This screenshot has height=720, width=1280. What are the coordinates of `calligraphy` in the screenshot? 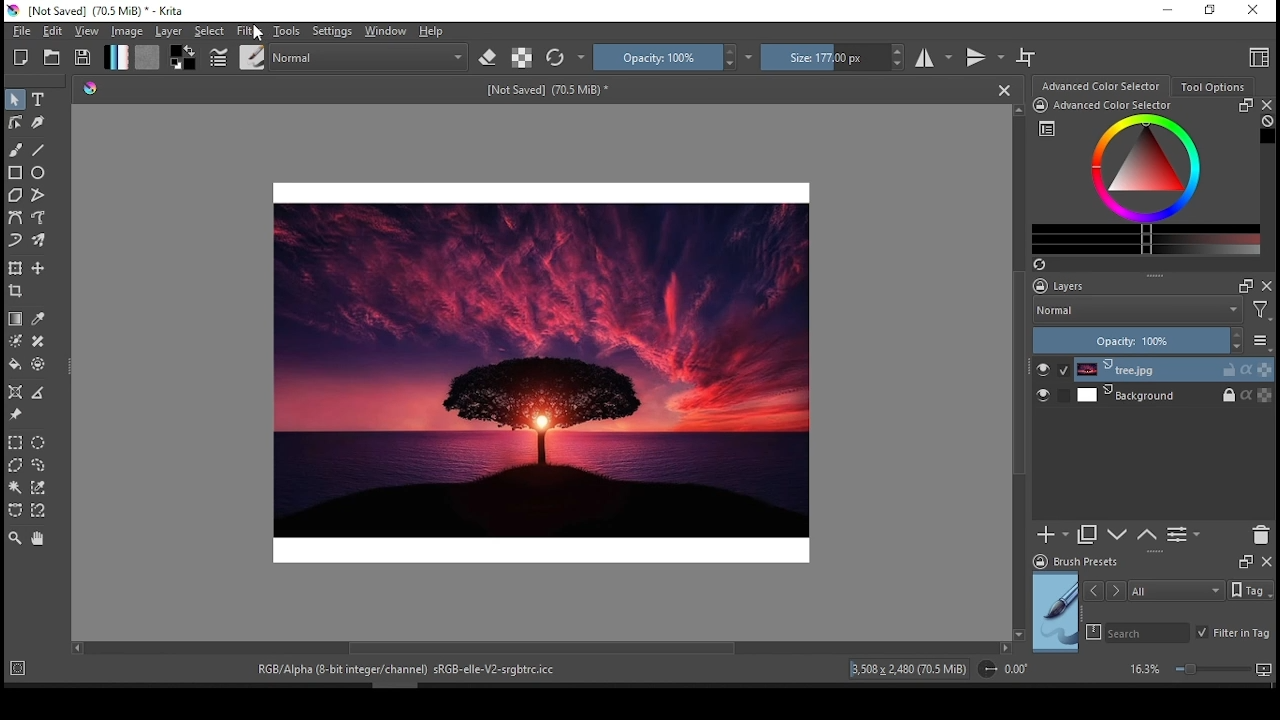 It's located at (38, 121).